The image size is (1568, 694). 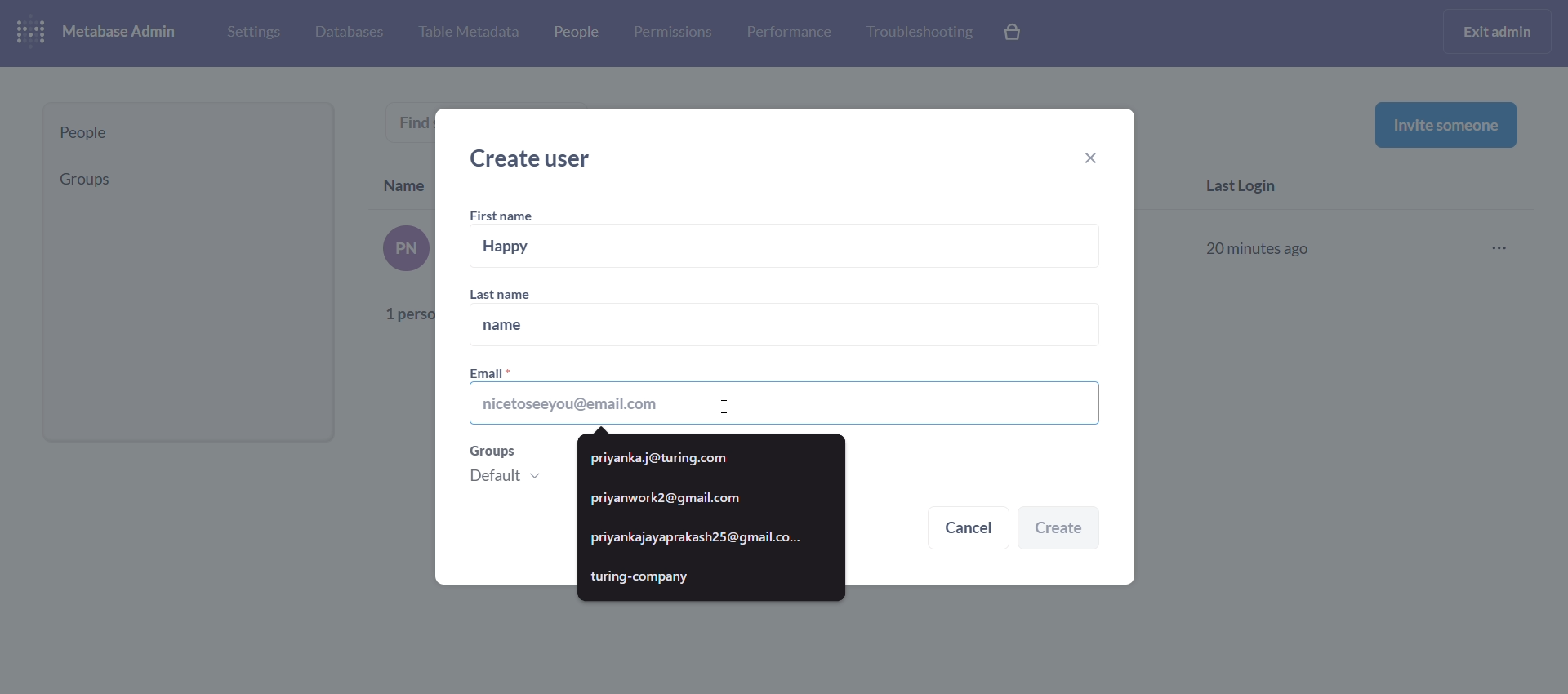 I want to click on Name, so click(x=405, y=182).